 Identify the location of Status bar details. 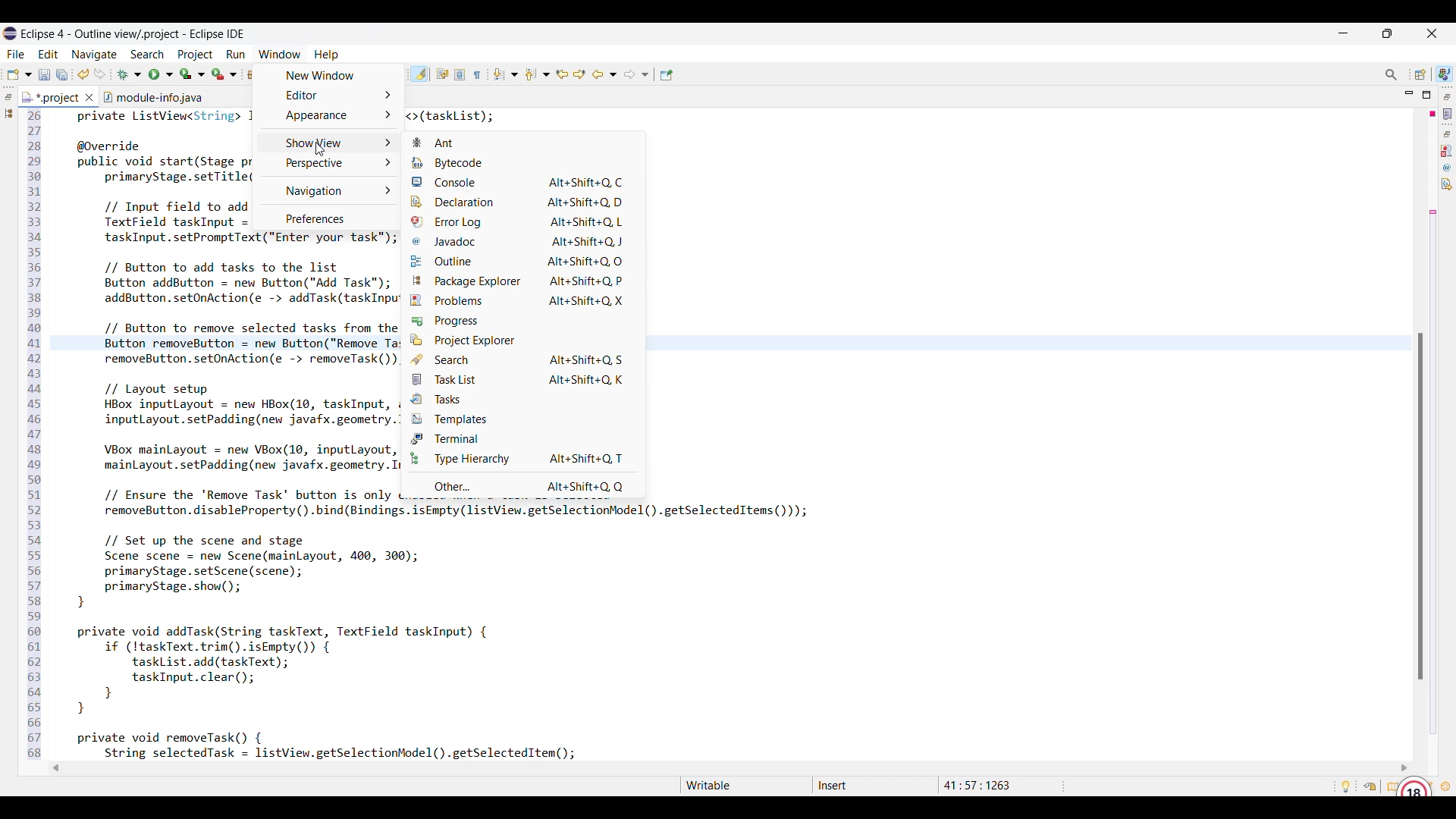
(864, 786).